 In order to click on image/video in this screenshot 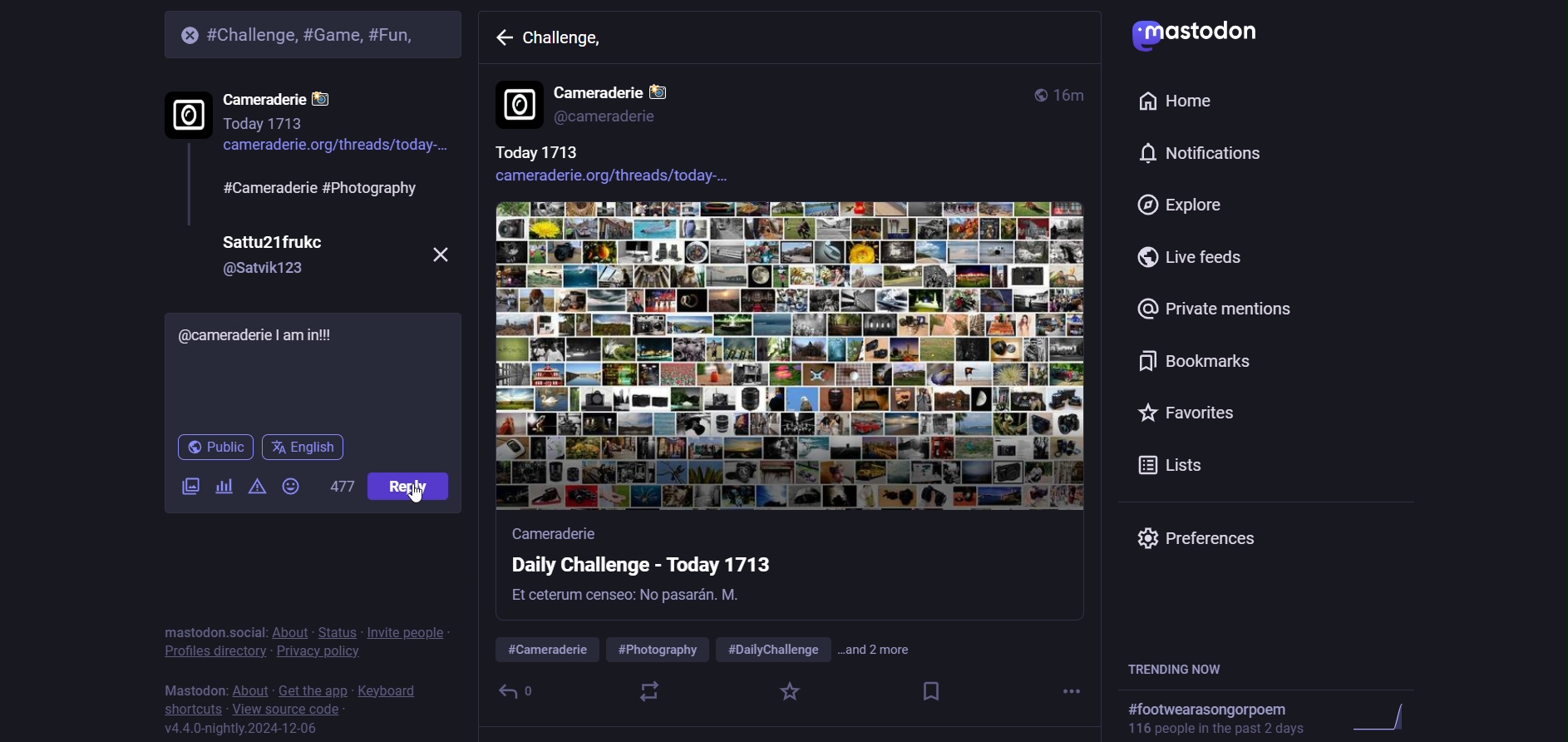, I will do `click(182, 484)`.